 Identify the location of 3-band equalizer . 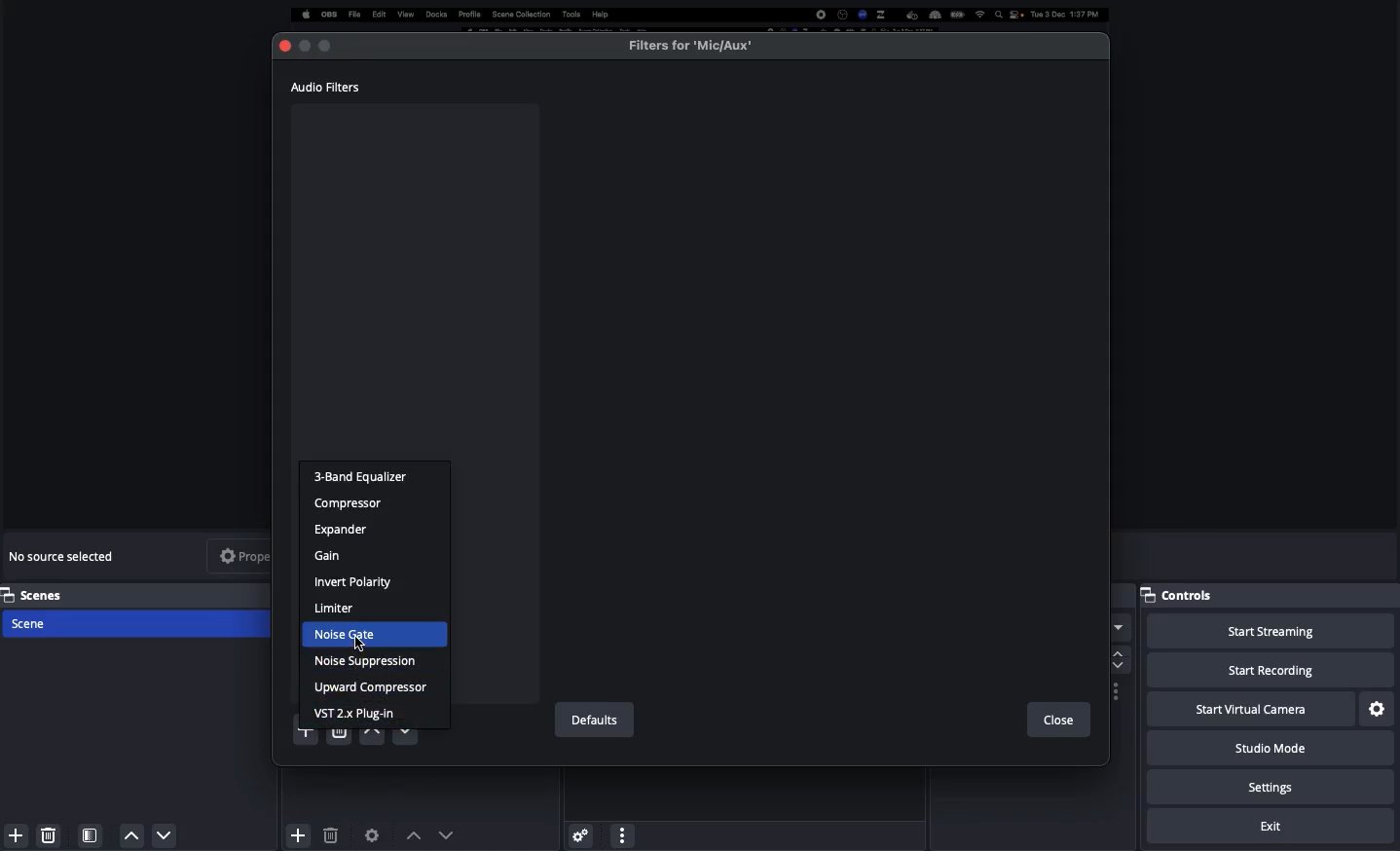
(367, 477).